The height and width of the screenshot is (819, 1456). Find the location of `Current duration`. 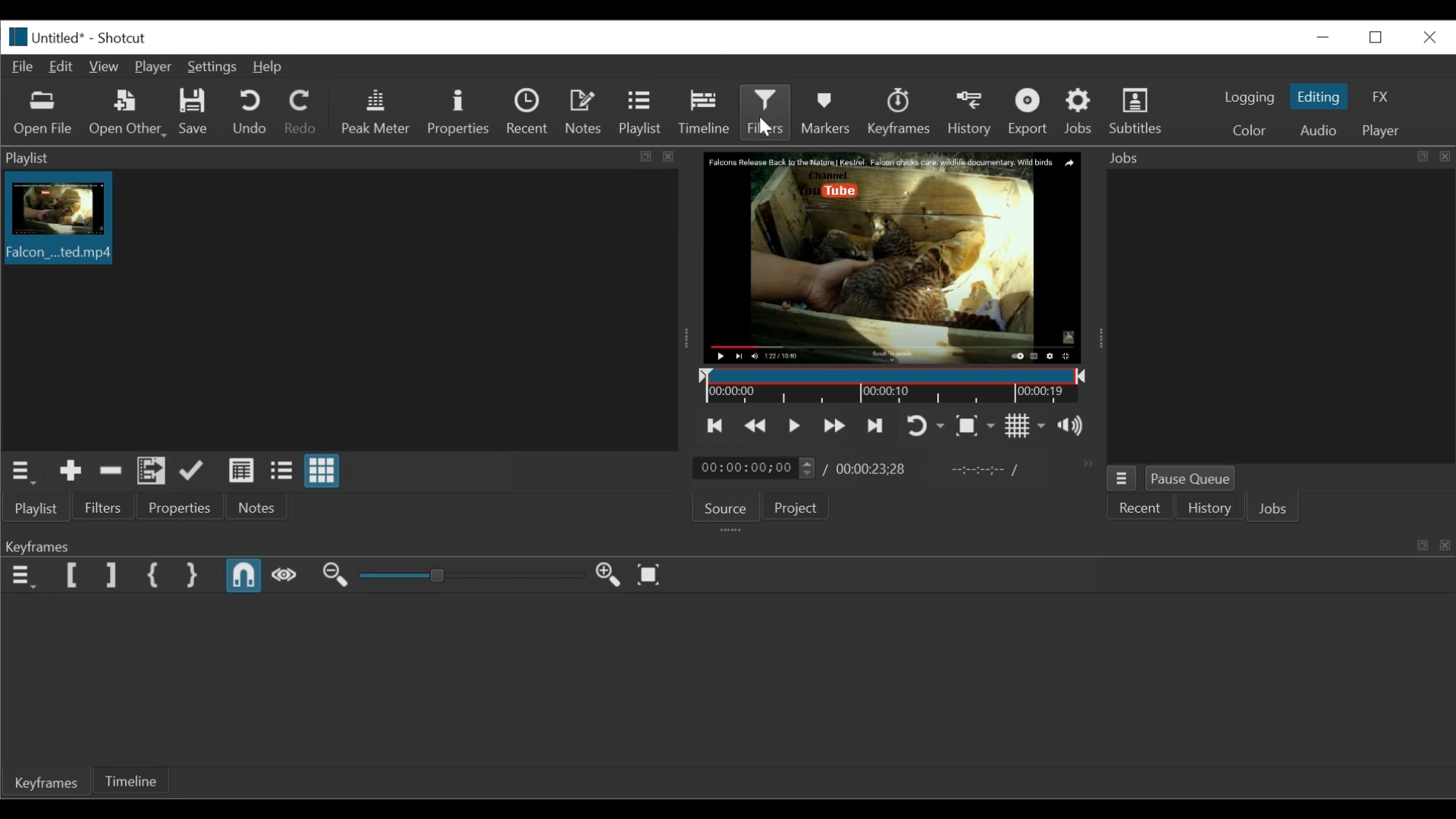

Current duration is located at coordinates (757, 468).